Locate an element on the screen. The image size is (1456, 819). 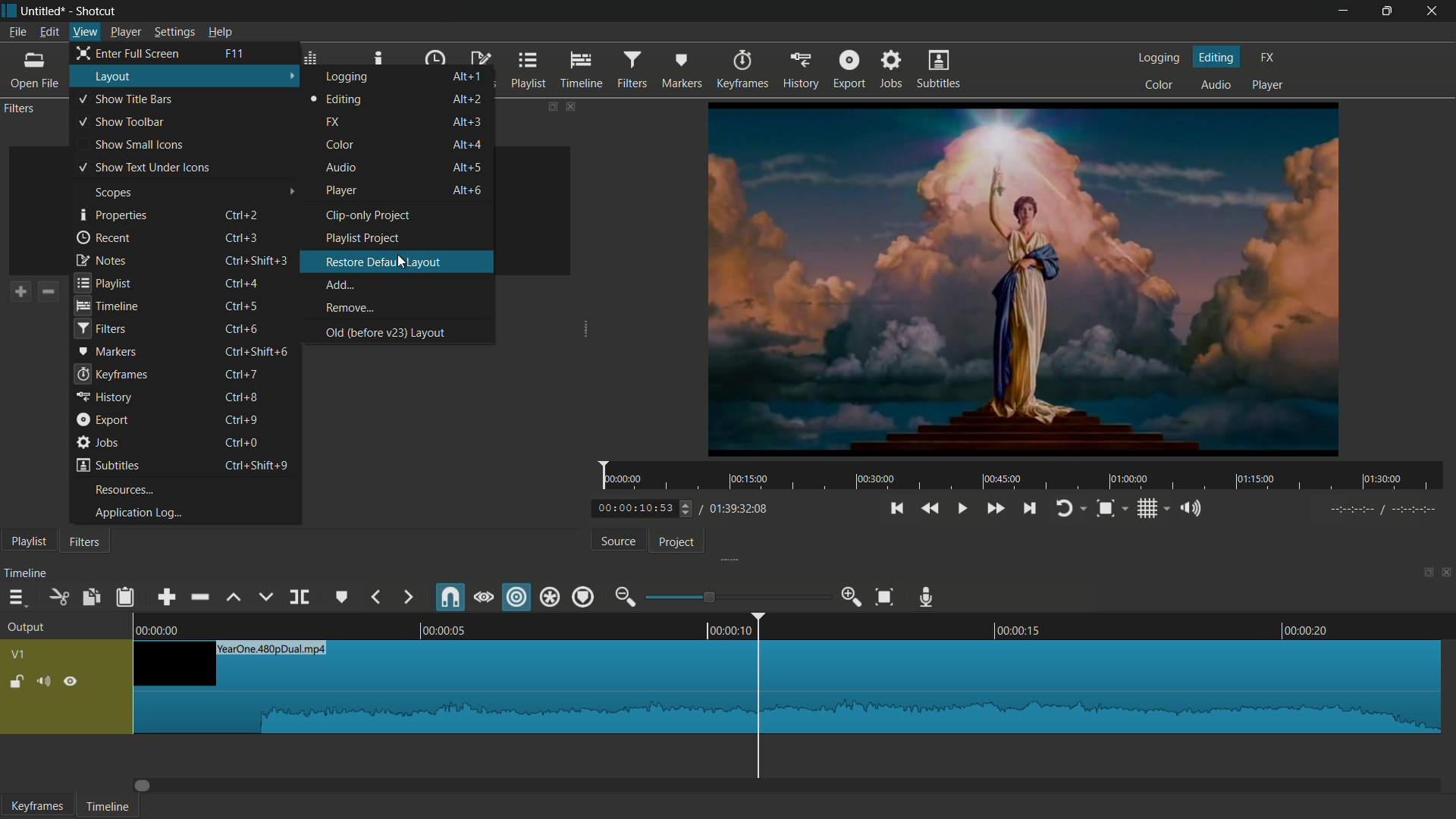
previous marker is located at coordinates (377, 598).